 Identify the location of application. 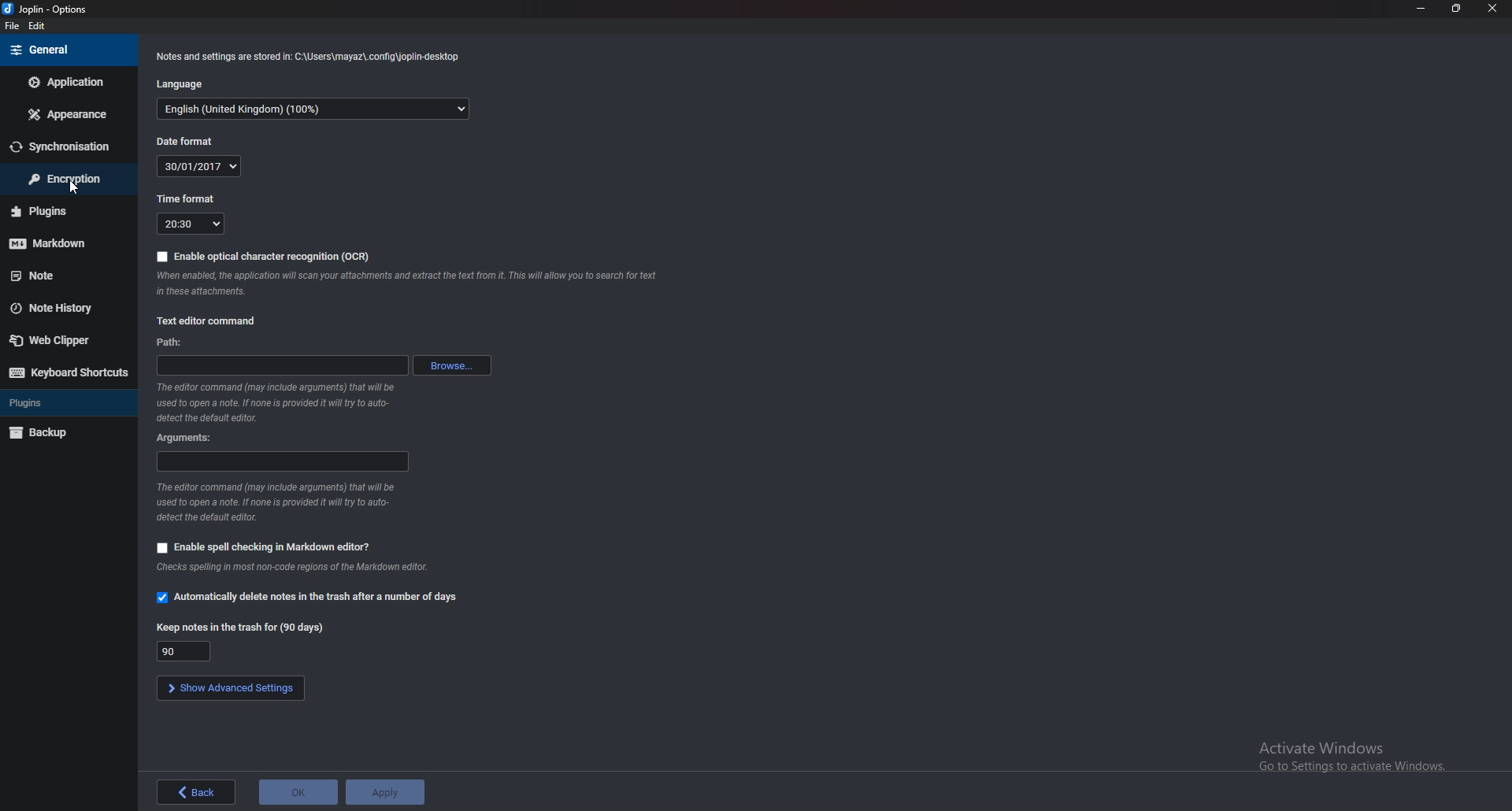
(65, 82).